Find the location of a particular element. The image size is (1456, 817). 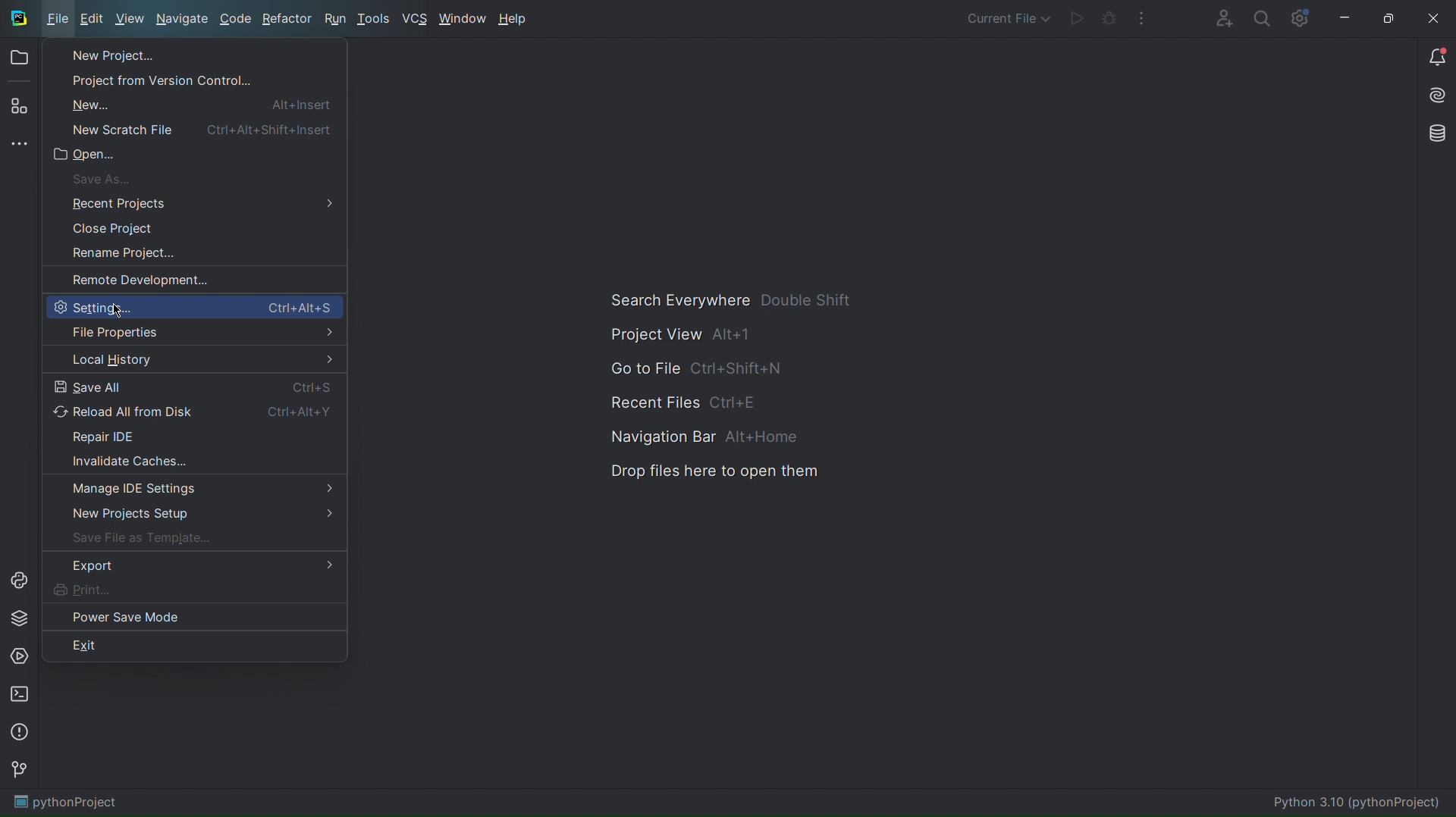

Python Console is located at coordinates (22, 578).